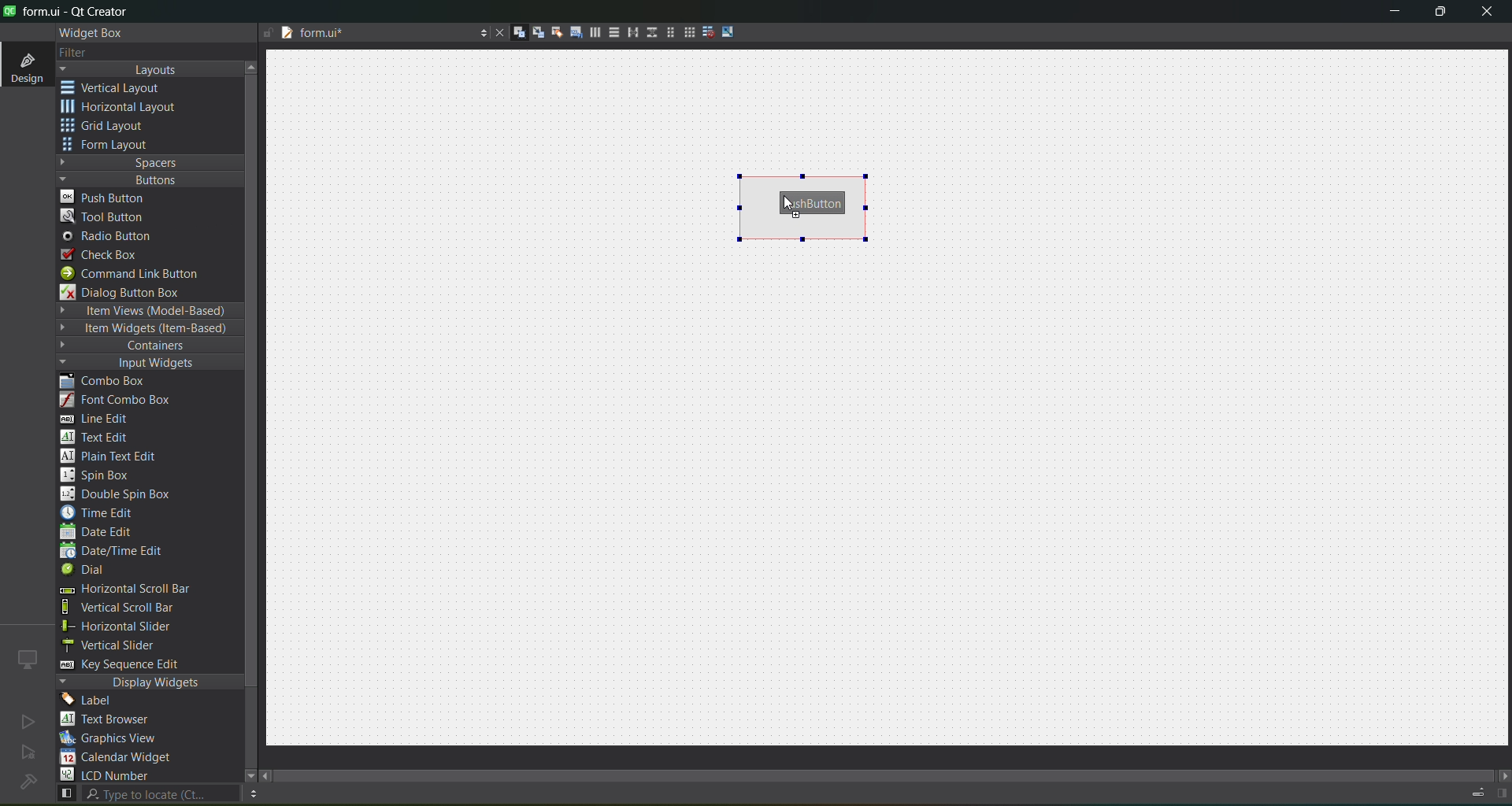 Image resolution: width=1512 pixels, height=806 pixels. I want to click on move right, so click(1503, 777).